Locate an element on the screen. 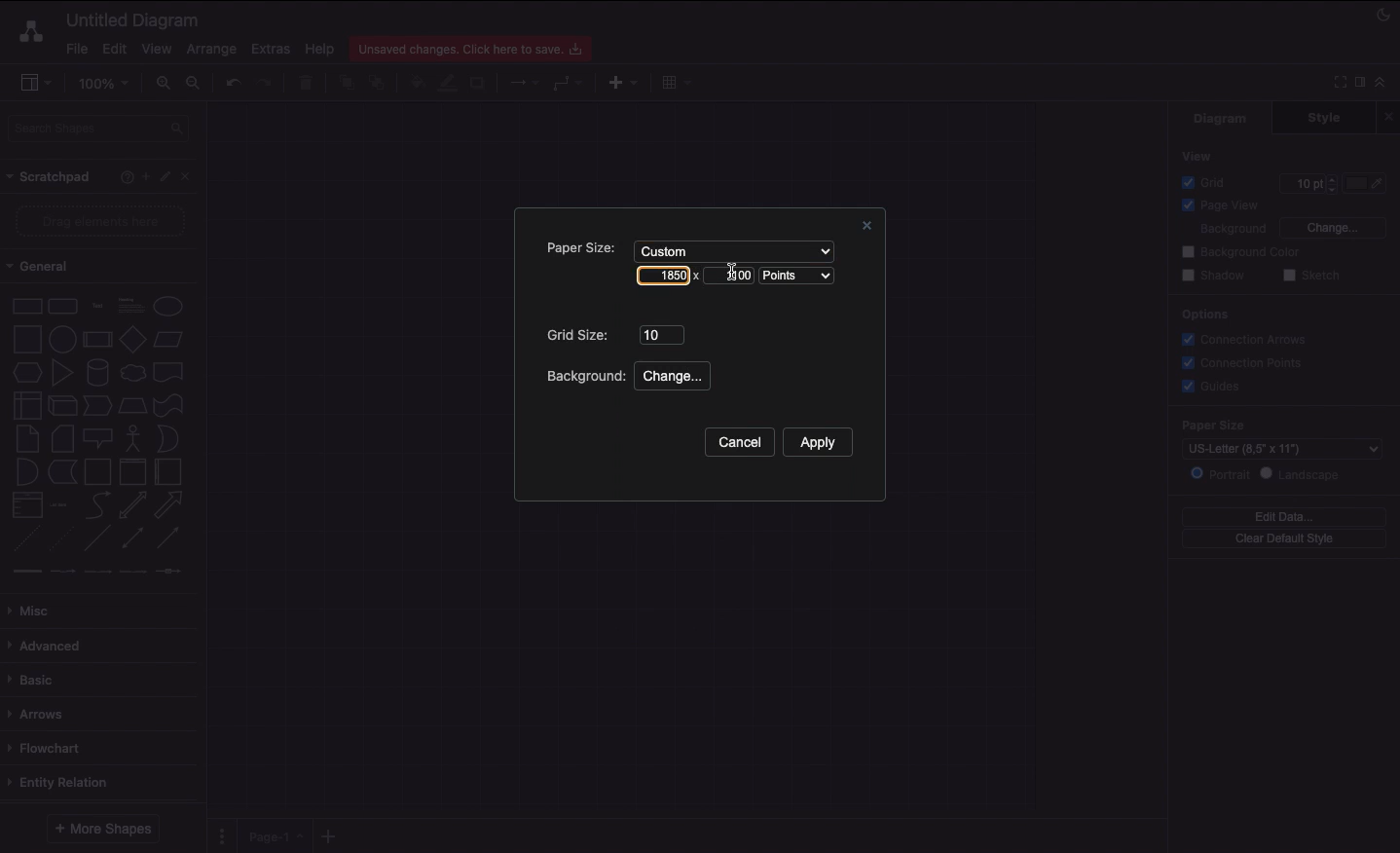 The image size is (1400, 853). Cylinder is located at coordinates (97, 373).